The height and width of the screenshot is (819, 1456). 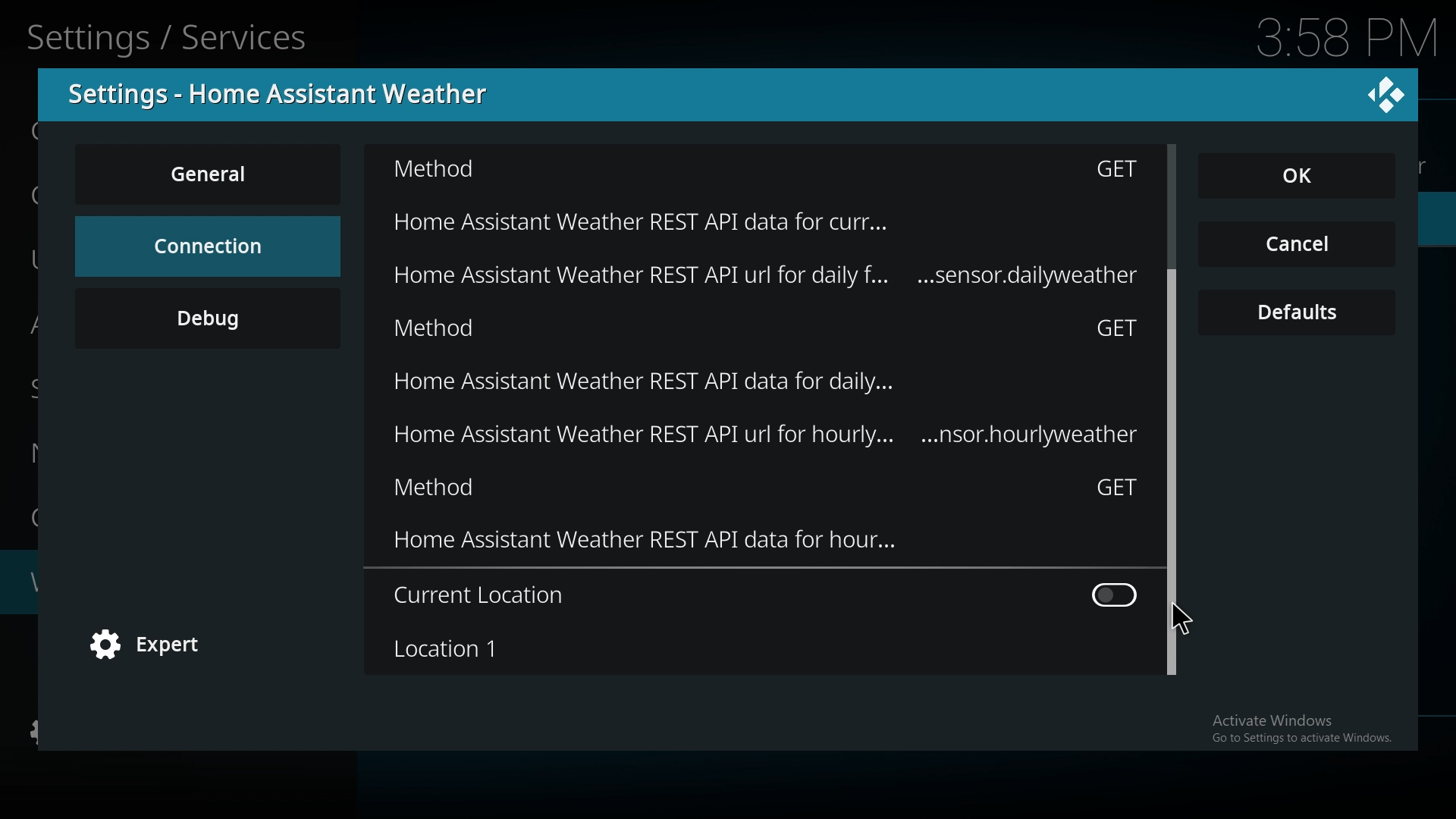 What do you see at coordinates (769, 438) in the screenshot?
I see `home assistant weather rest api url for hourly..` at bounding box center [769, 438].